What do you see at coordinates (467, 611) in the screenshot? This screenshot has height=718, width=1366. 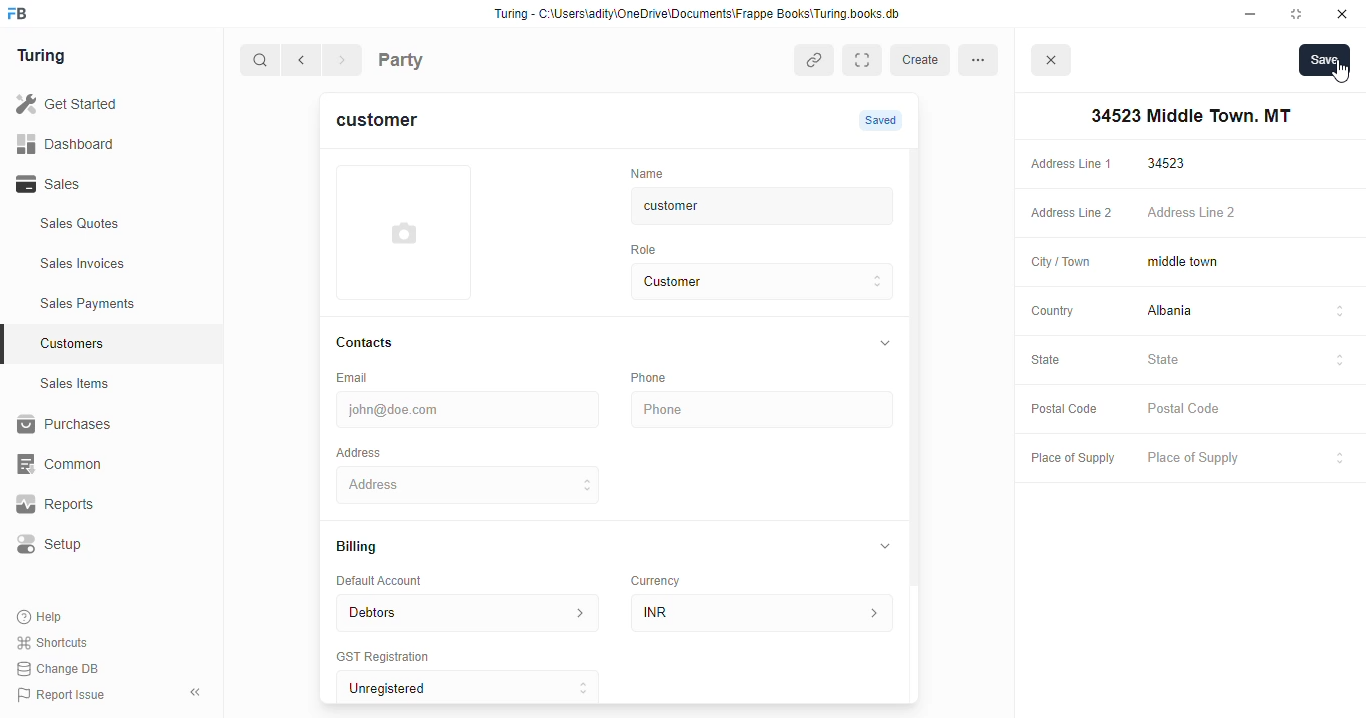 I see `Debtors` at bounding box center [467, 611].